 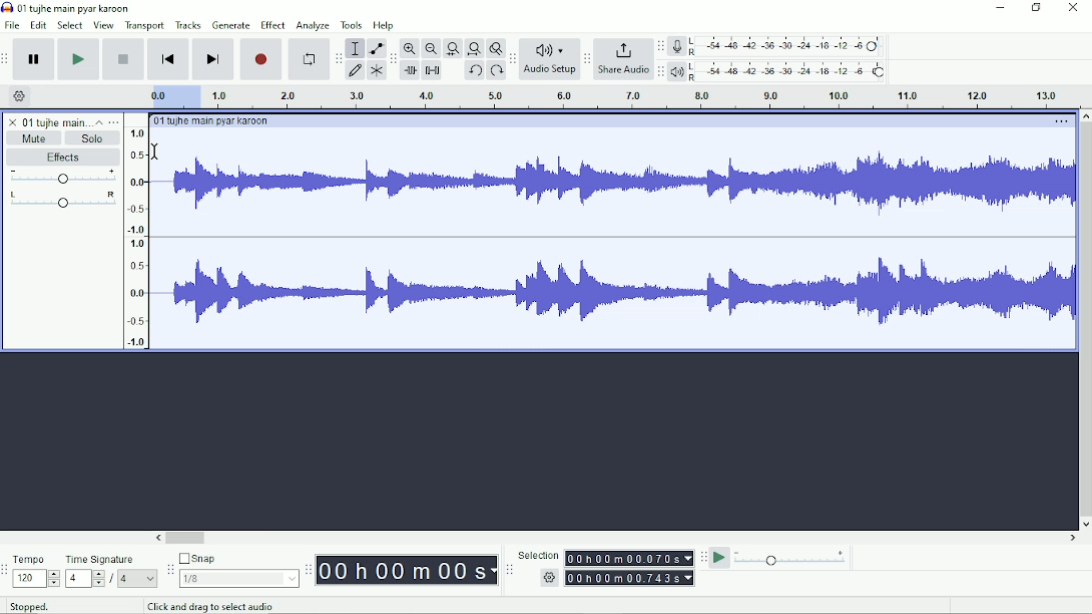 What do you see at coordinates (355, 47) in the screenshot?
I see `Selection tool` at bounding box center [355, 47].